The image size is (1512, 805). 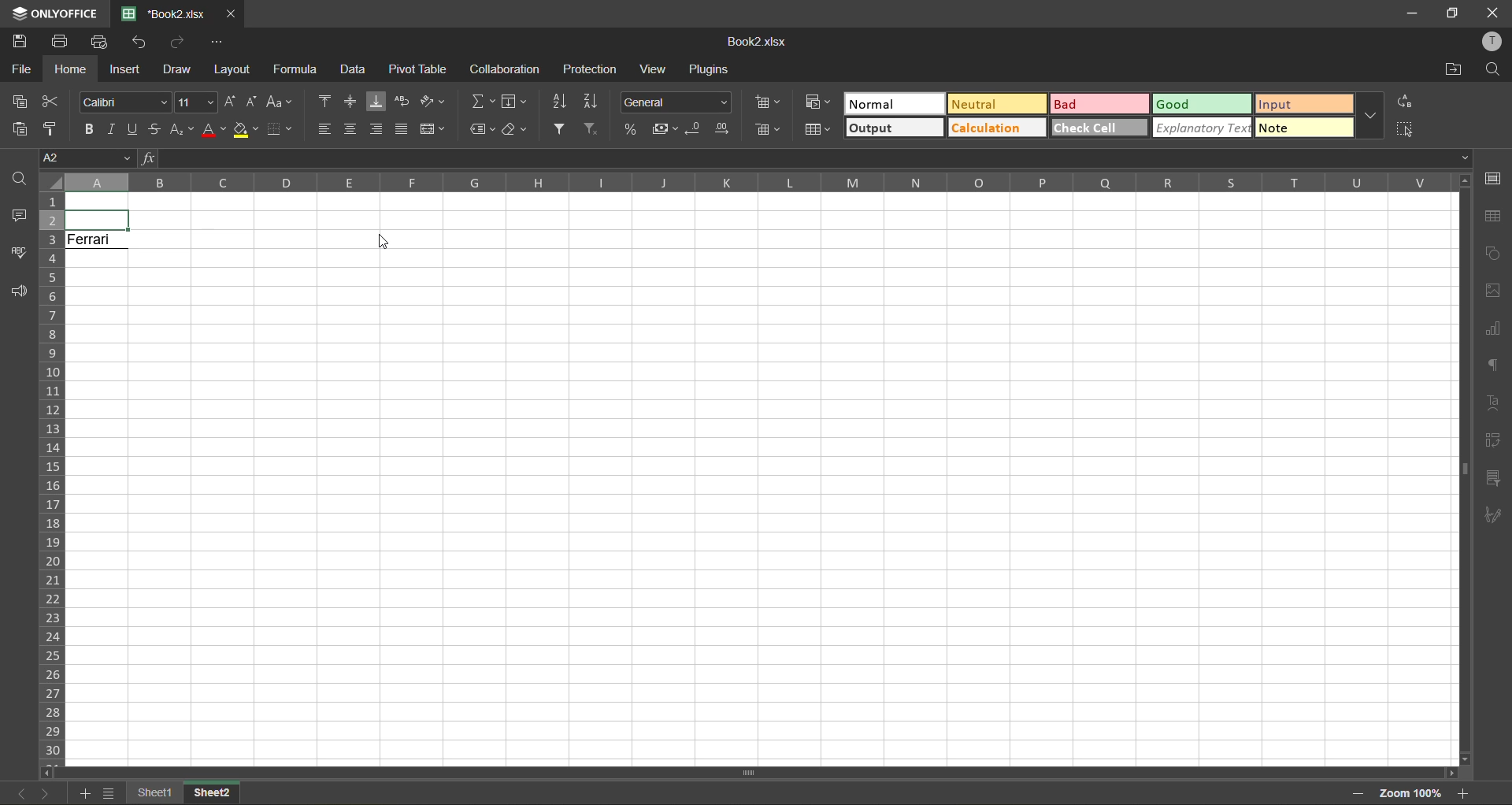 I want to click on file, so click(x=21, y=68).